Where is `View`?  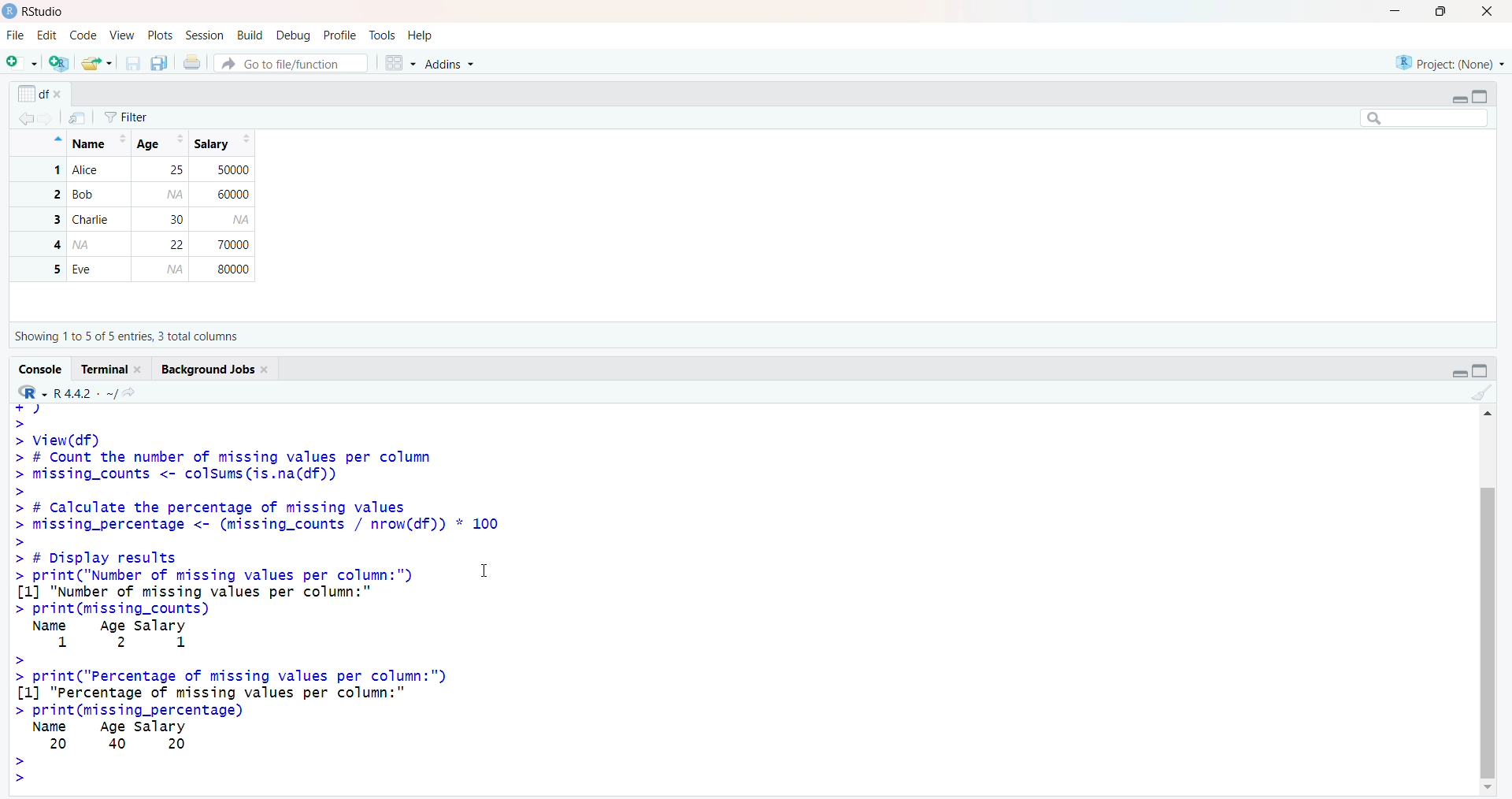
View is located at coordinates (121, 36).